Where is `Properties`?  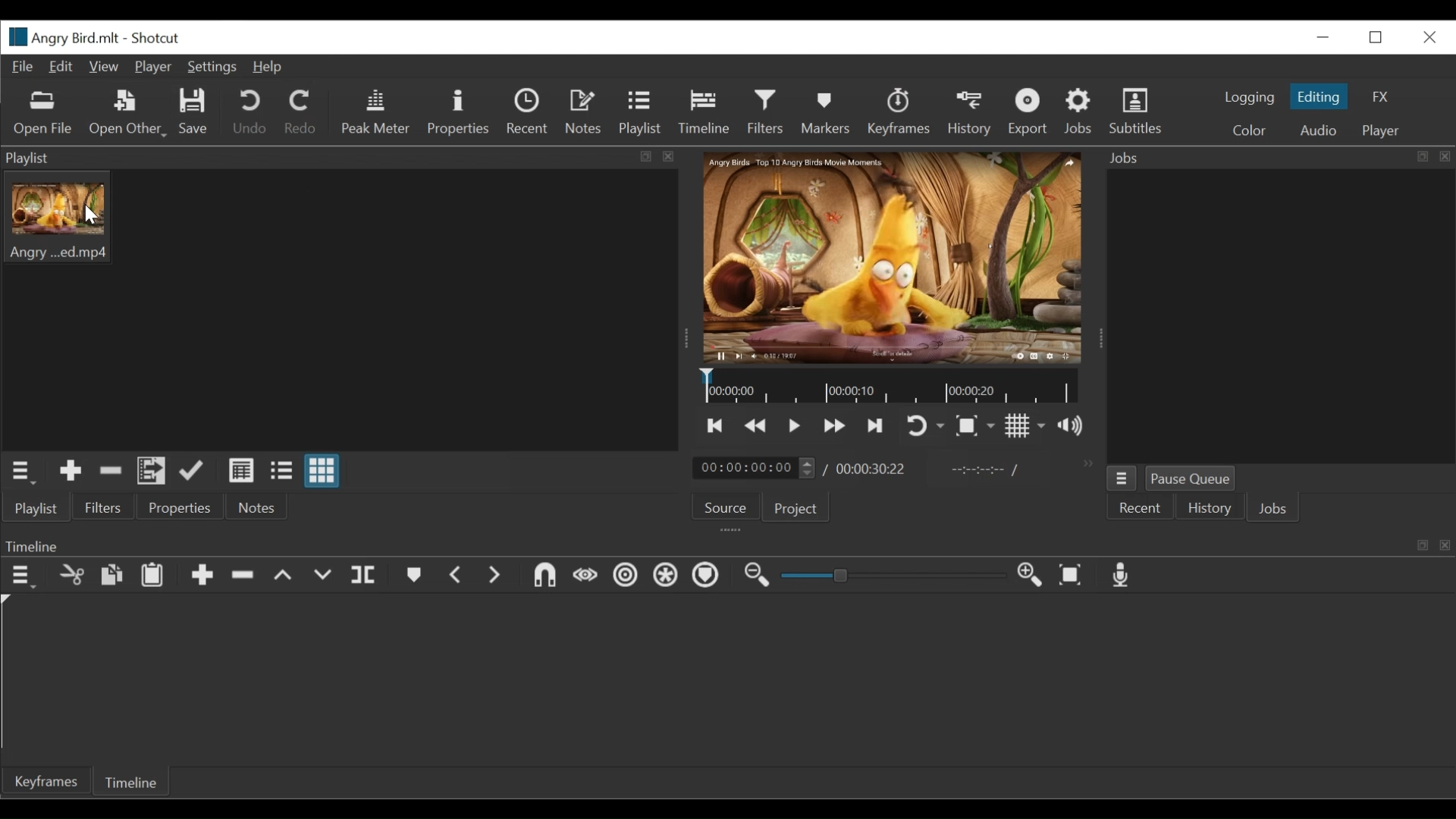
Properties is located at coordinates (463, 114).